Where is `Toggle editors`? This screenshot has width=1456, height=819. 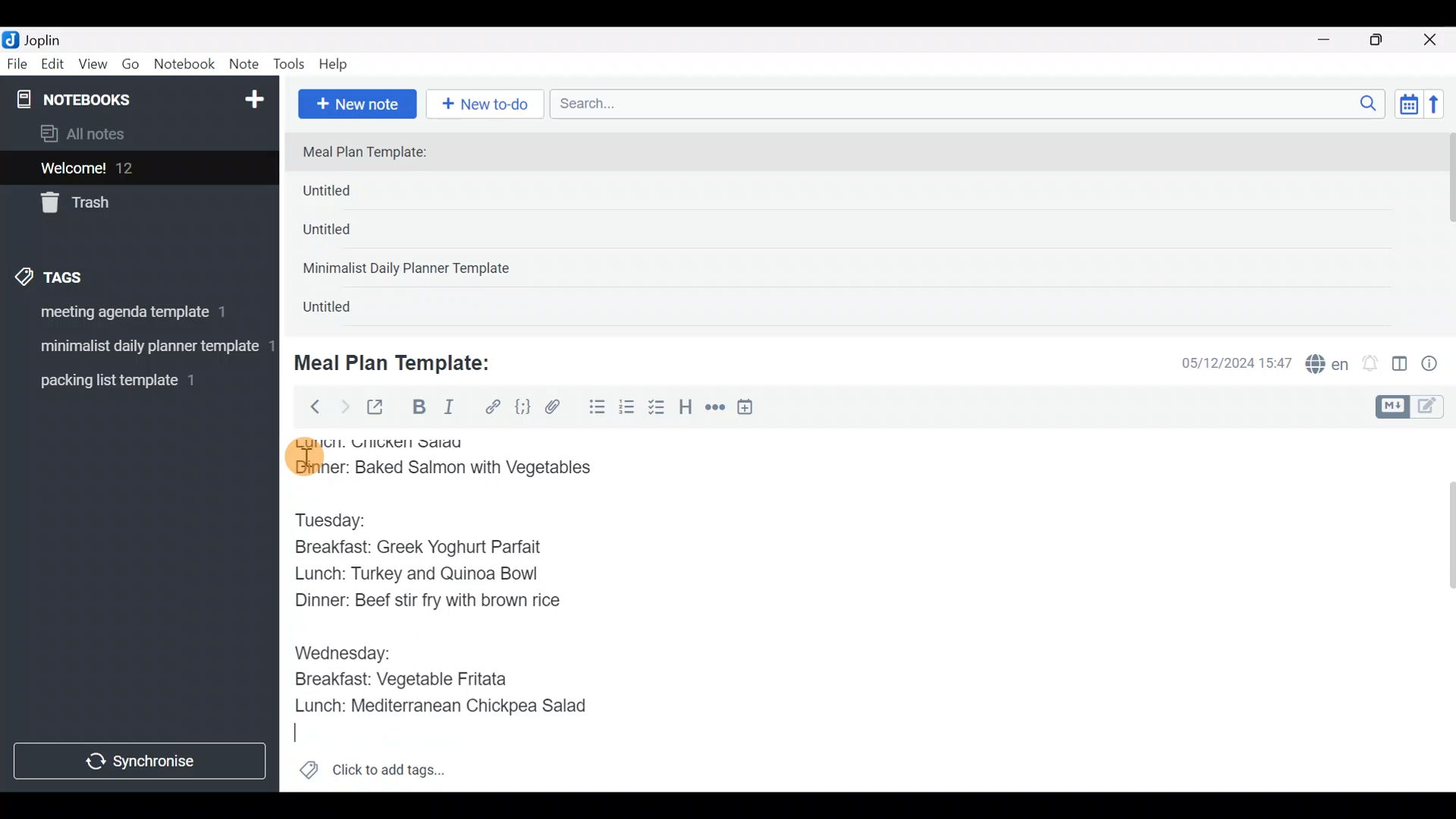
Toggle editors is located at coordinates (1414, 405).